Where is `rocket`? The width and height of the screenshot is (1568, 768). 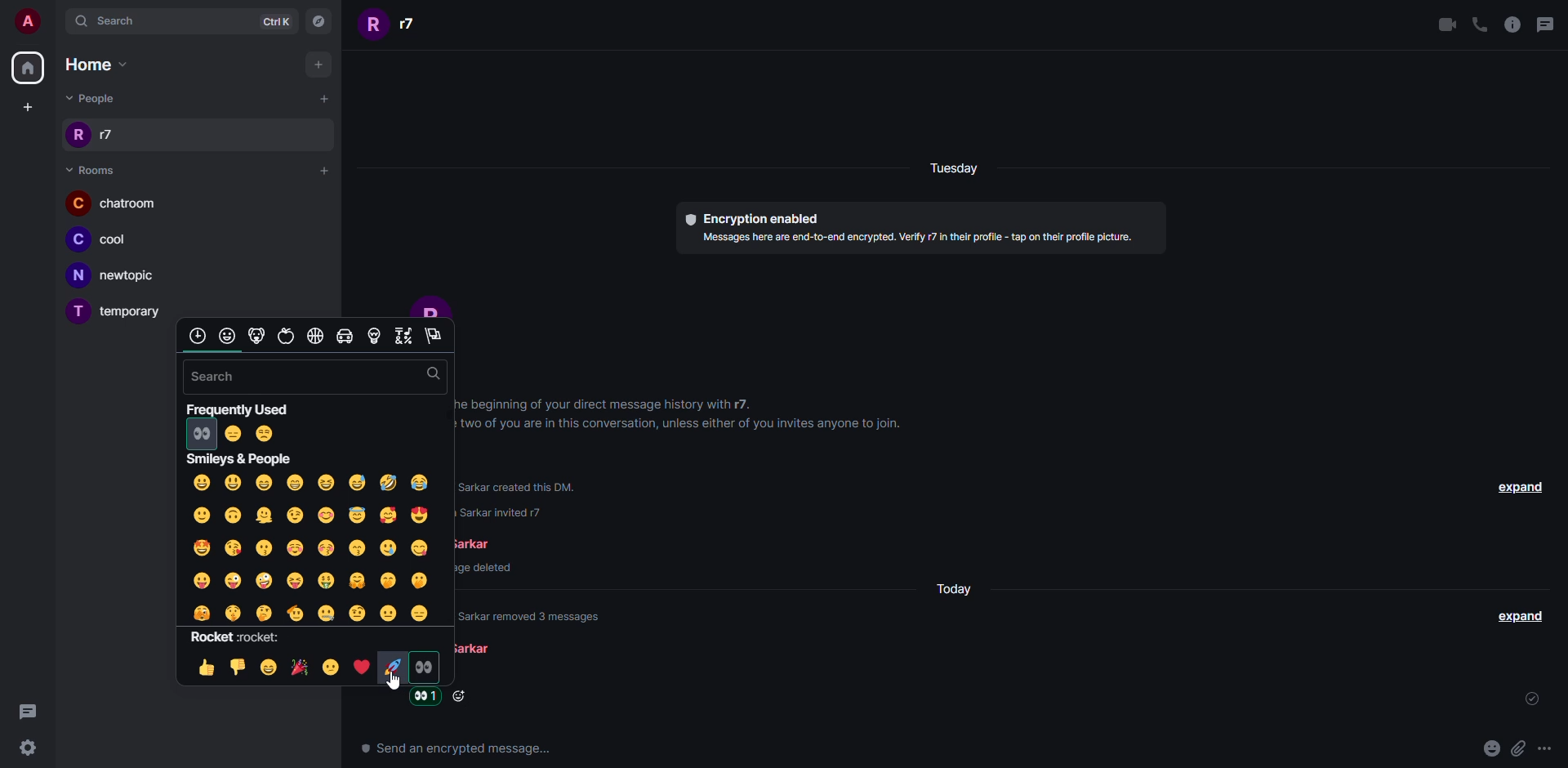 rocket is located at coordinates (235, 637).